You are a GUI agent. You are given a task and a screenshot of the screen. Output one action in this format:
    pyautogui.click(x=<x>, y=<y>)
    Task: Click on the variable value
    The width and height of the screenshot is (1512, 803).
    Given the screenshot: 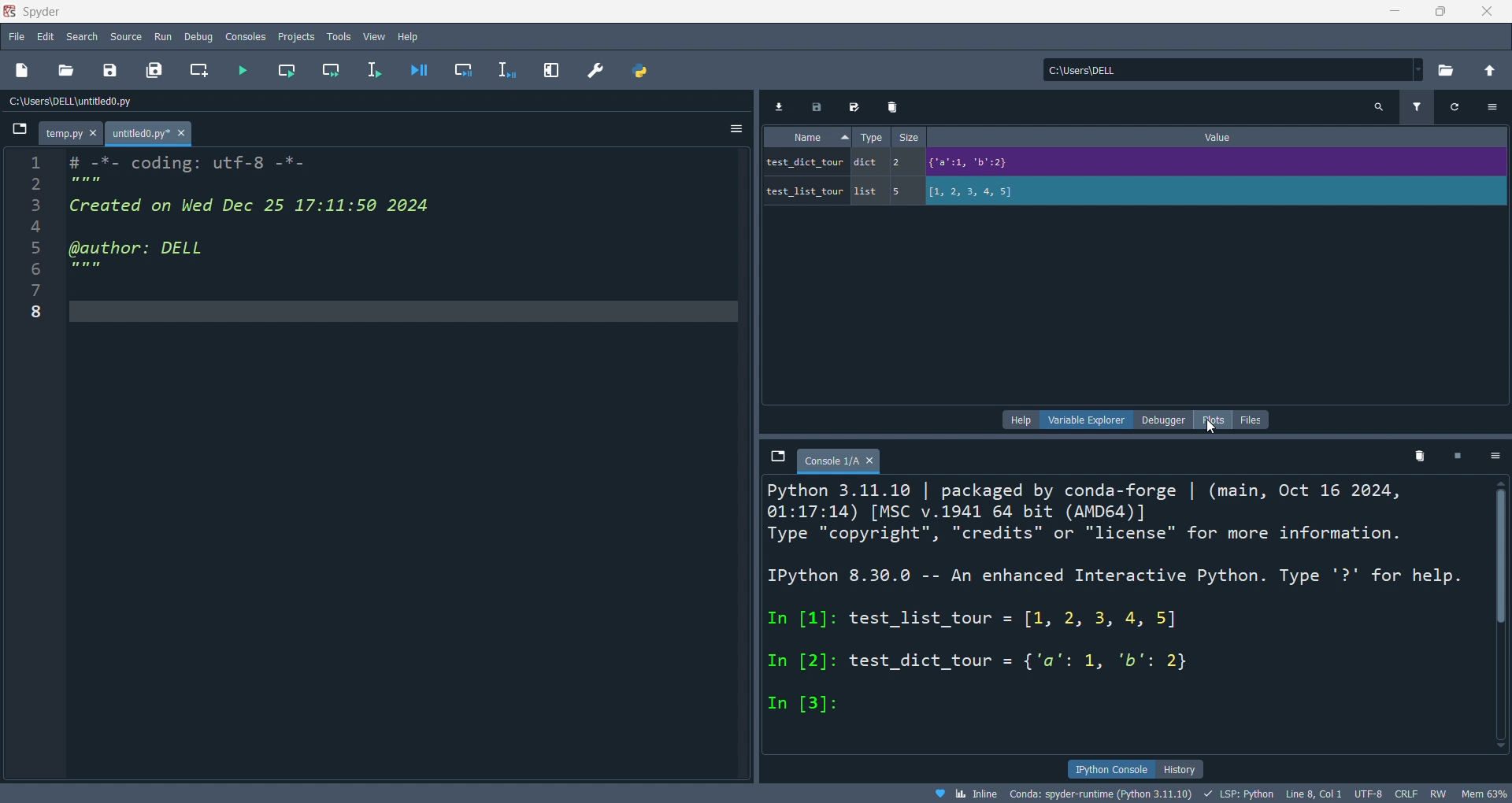 What is the action you would take?
    pyautogui.click(x=974, y=164)
    